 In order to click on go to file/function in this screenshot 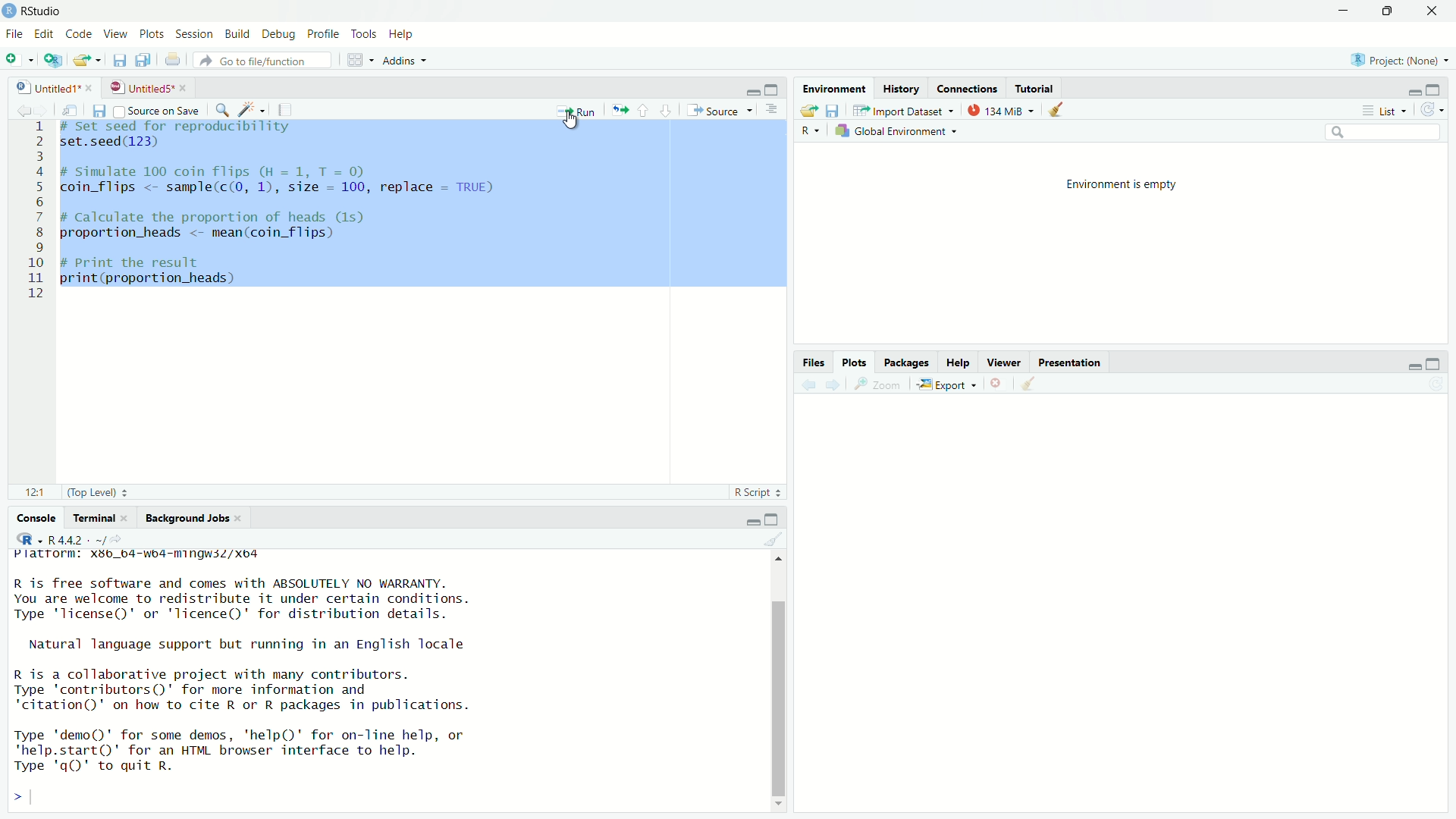, I will do `click(263, 60)`.